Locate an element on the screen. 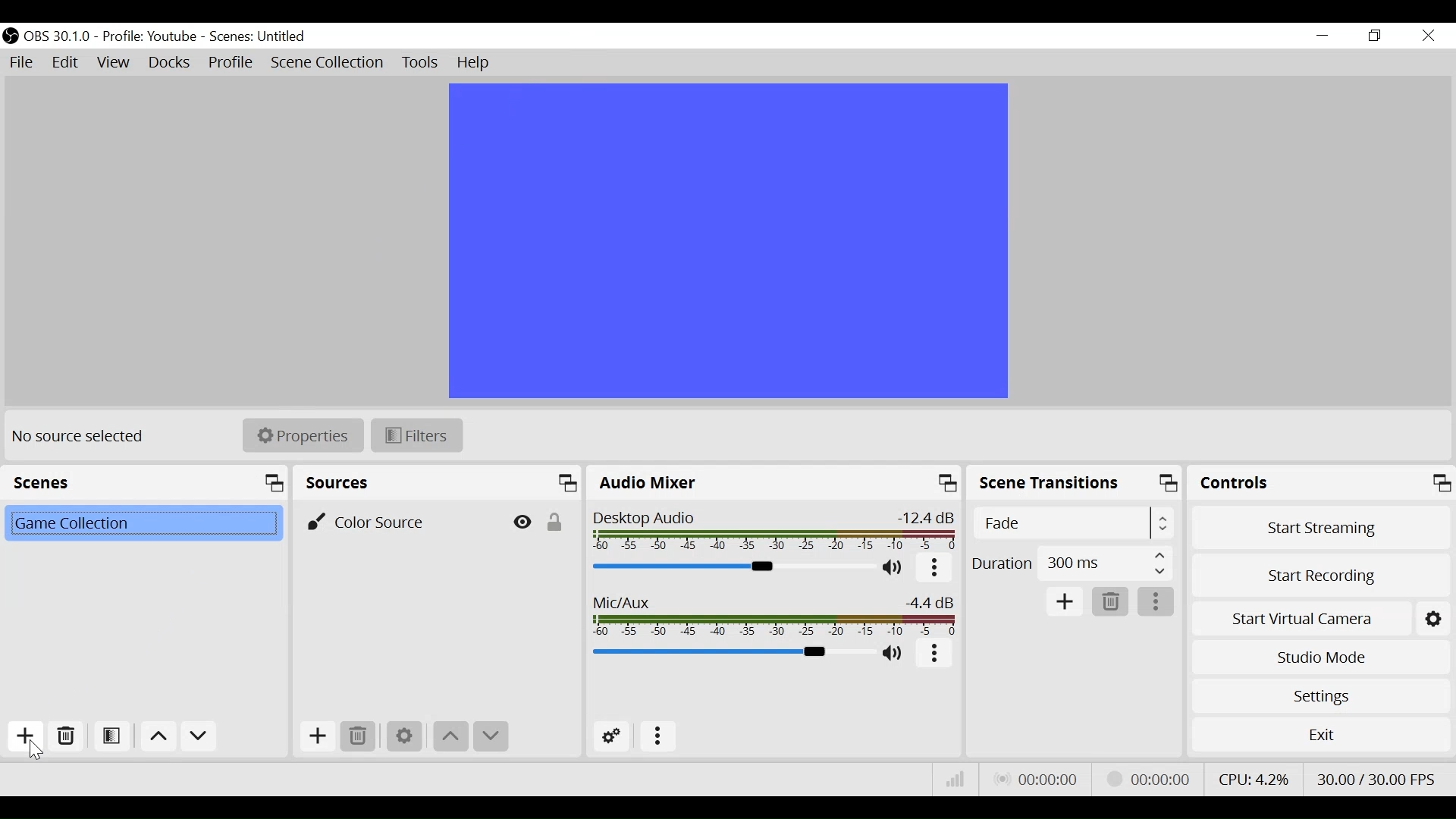  Start Streaming is located at coordinates (1321, 524).